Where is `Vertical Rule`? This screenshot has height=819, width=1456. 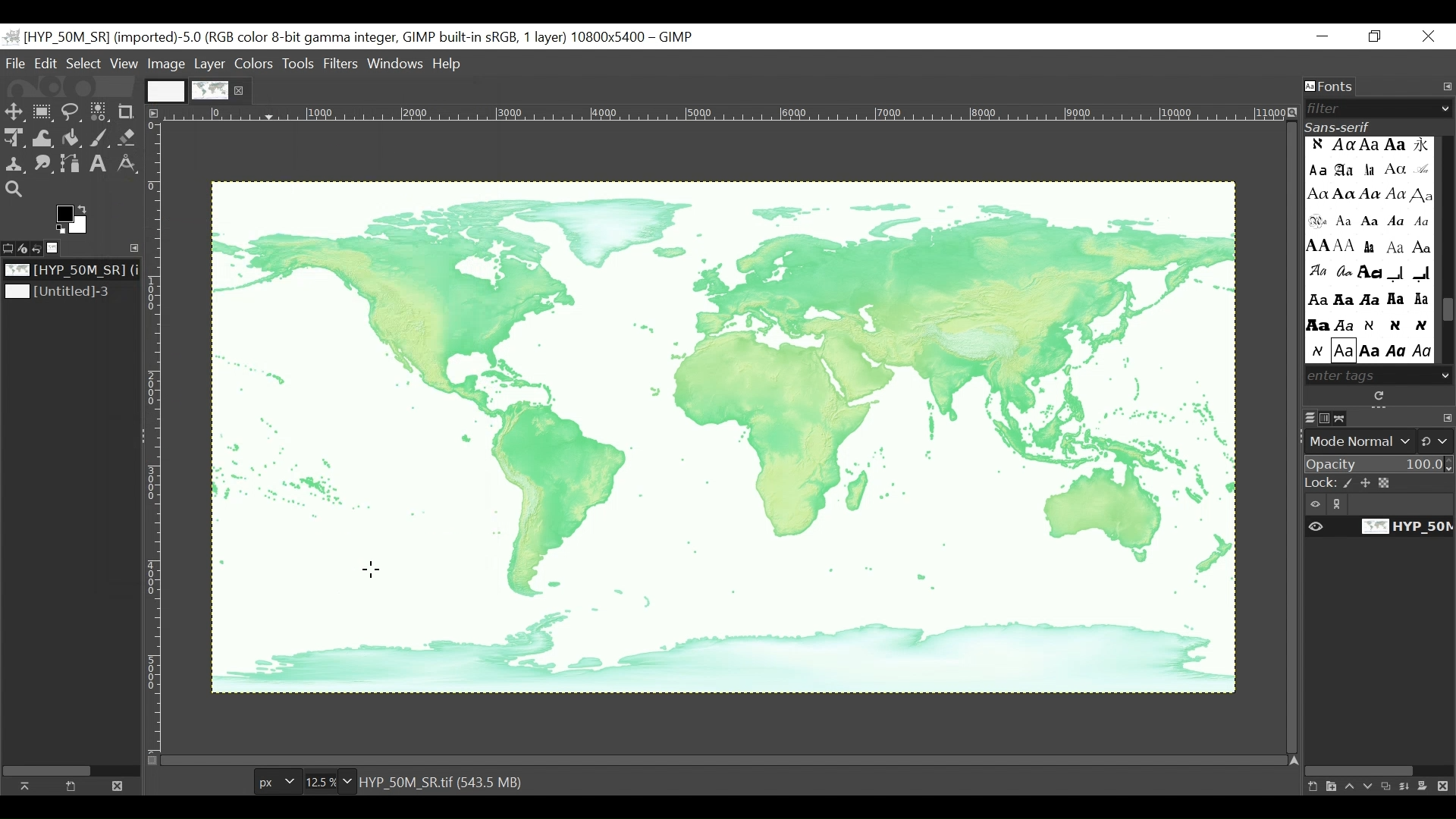
Vertical Rule is located at coordinates (153, 437).